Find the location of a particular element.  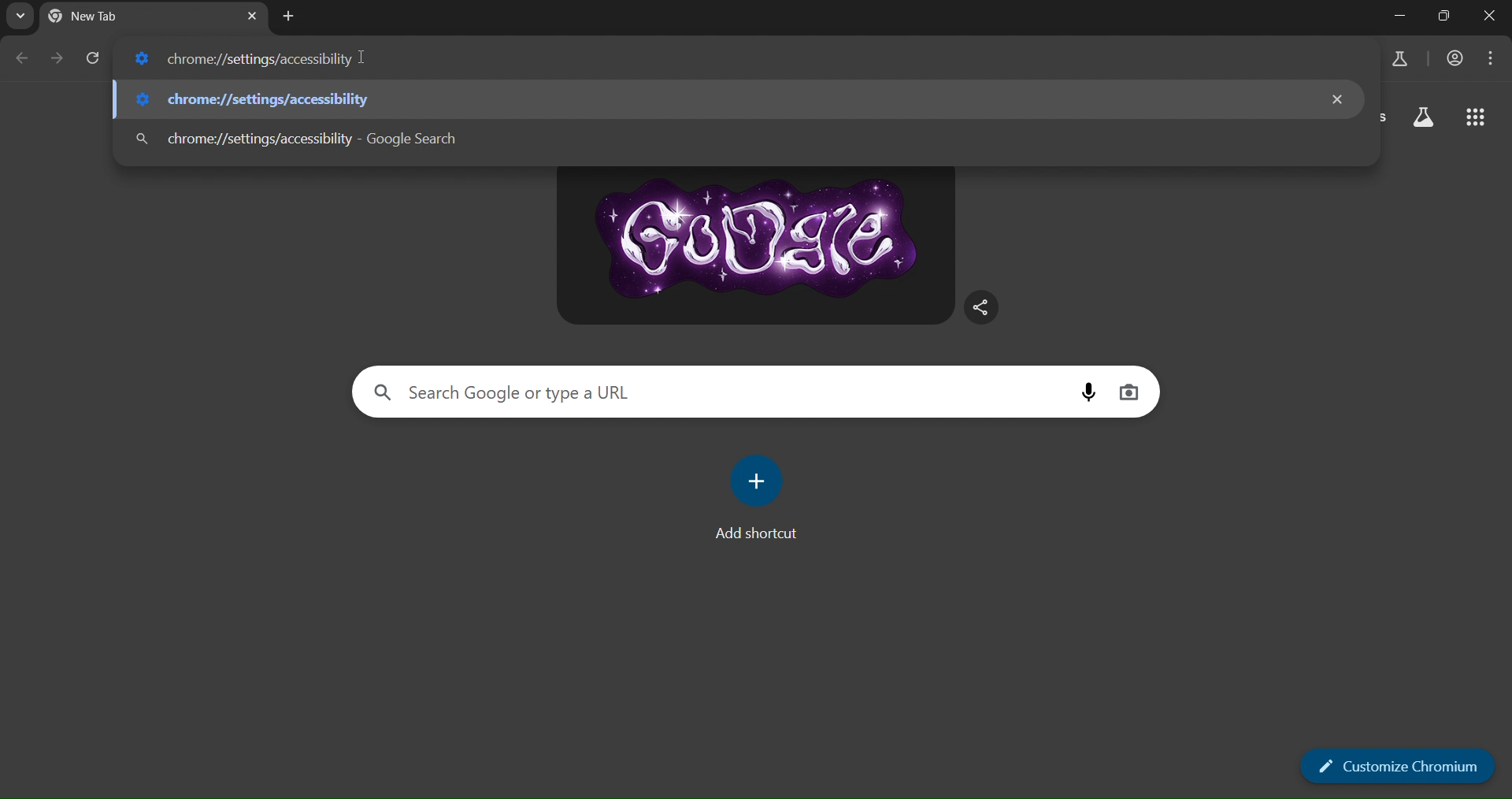

adjust window is located at coordinates (1437, 20).